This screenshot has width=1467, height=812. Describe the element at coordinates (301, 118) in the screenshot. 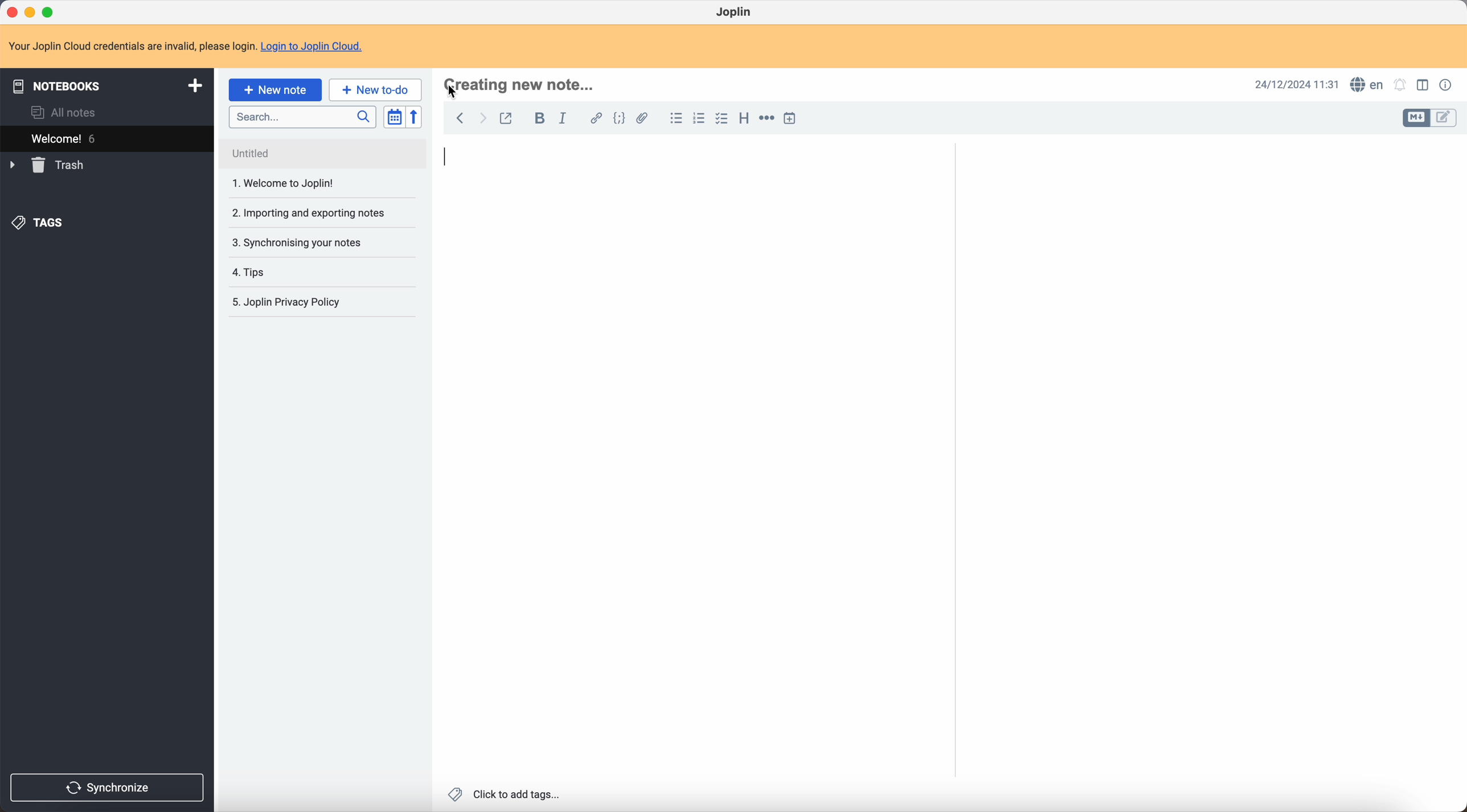

I see `search bar` at that location.